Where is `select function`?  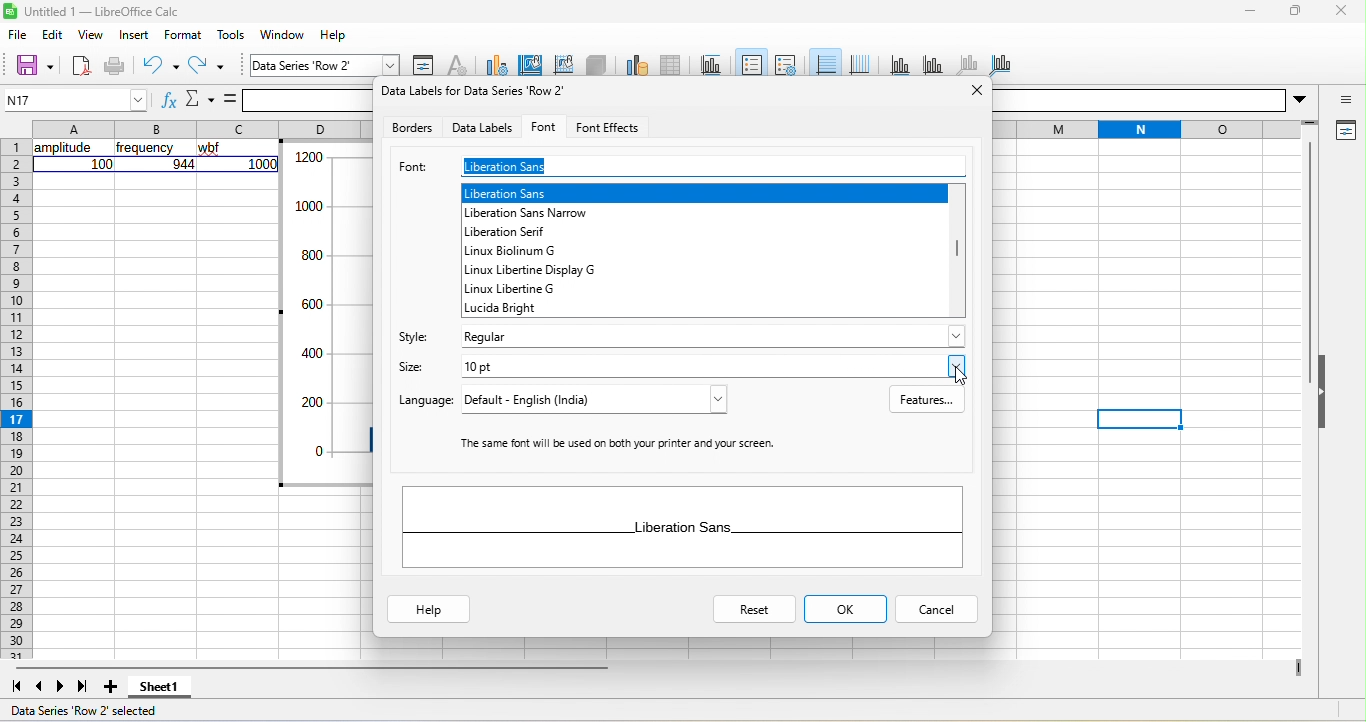 select function is located at coordinates (198, 101).